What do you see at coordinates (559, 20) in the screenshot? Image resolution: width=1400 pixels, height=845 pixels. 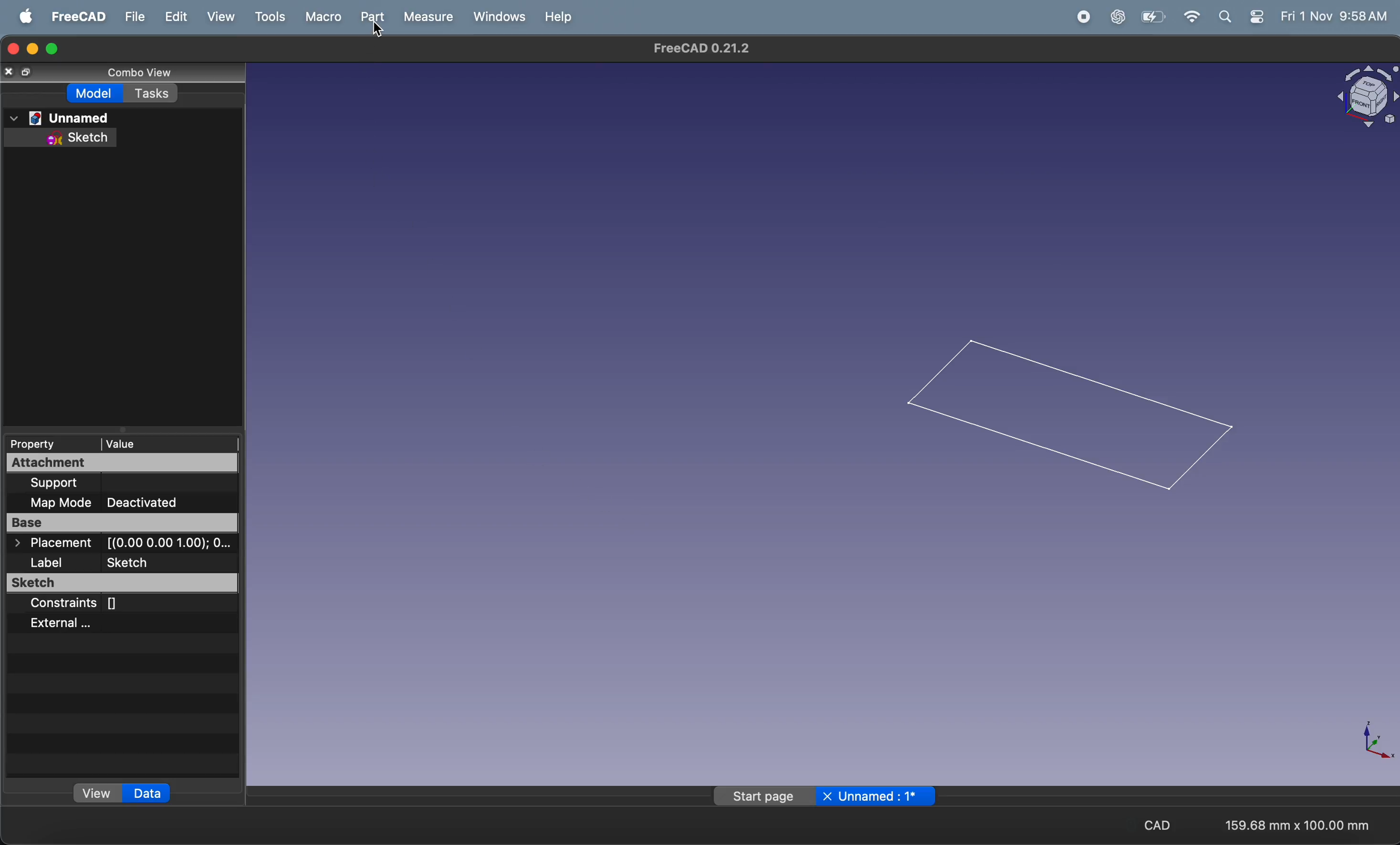 I see `help` at bounding box center [559, 20].